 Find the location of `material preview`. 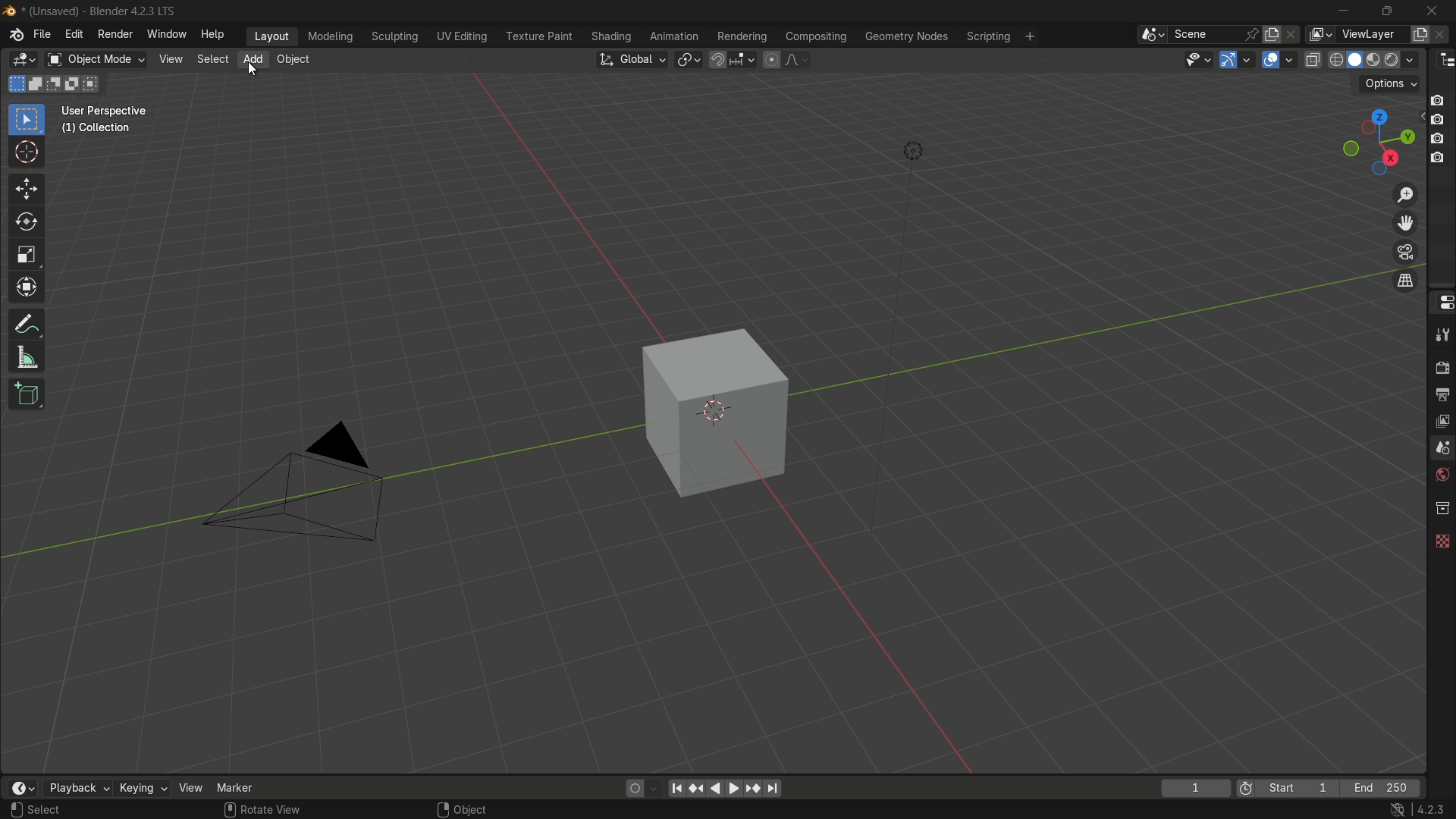

material preview is located at coordinates (1376, 61).